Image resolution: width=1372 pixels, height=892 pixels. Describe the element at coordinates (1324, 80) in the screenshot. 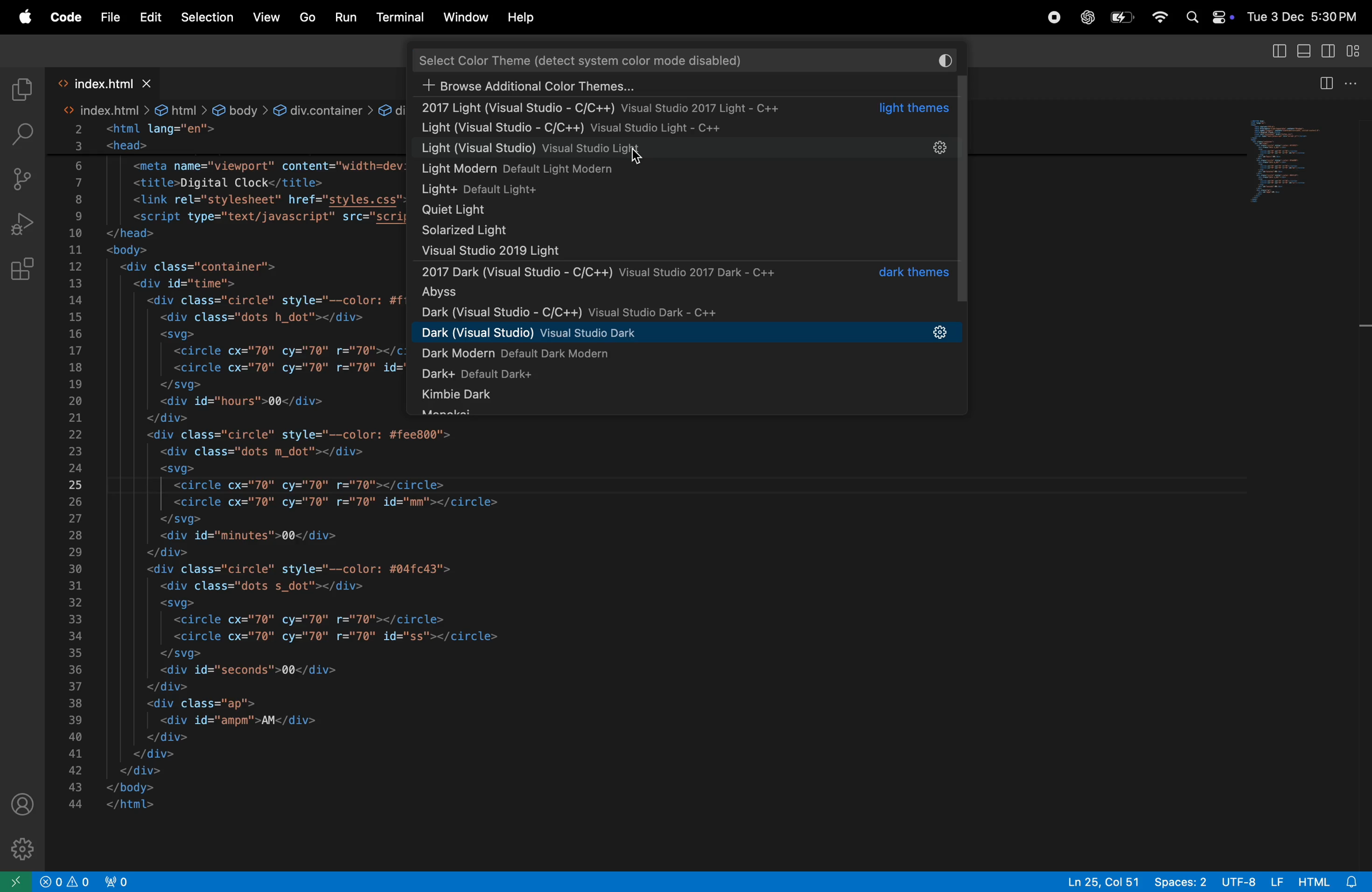

I see `Split editor` at that location.